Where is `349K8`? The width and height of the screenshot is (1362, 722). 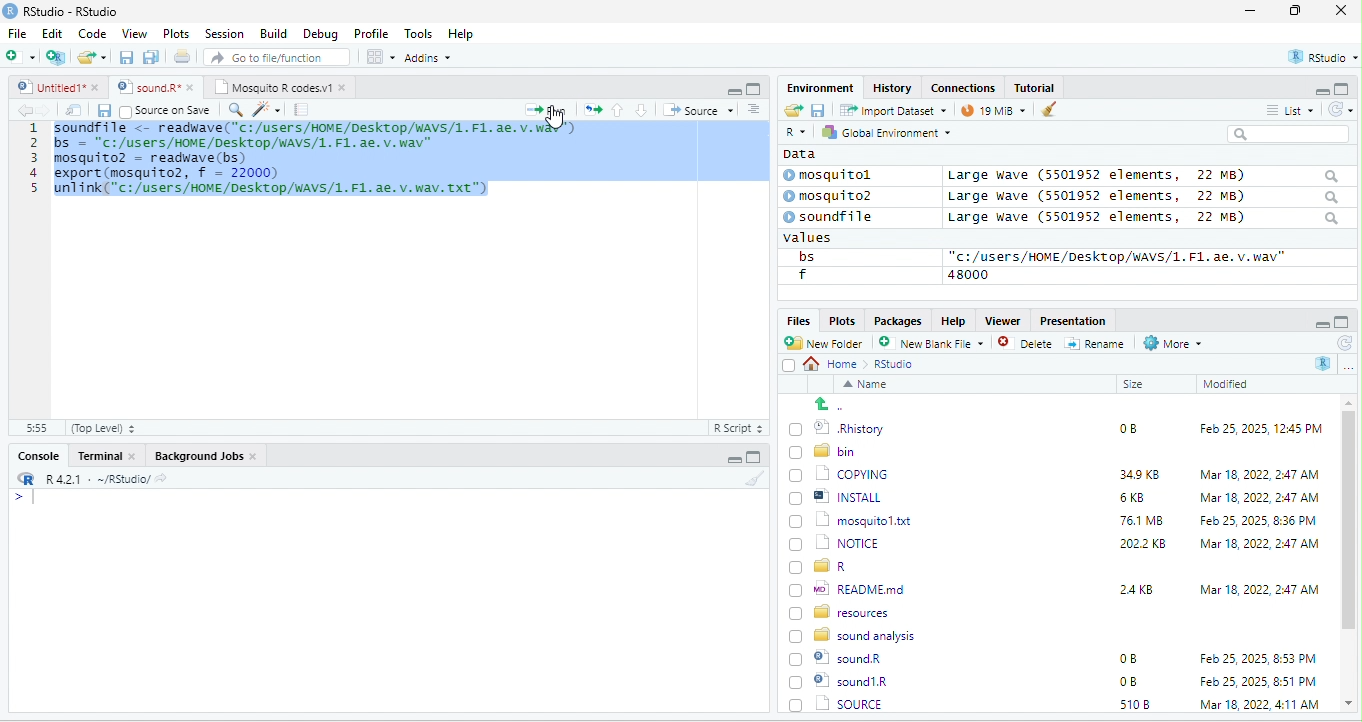 349K8 is located at coordinates (1140, 475).